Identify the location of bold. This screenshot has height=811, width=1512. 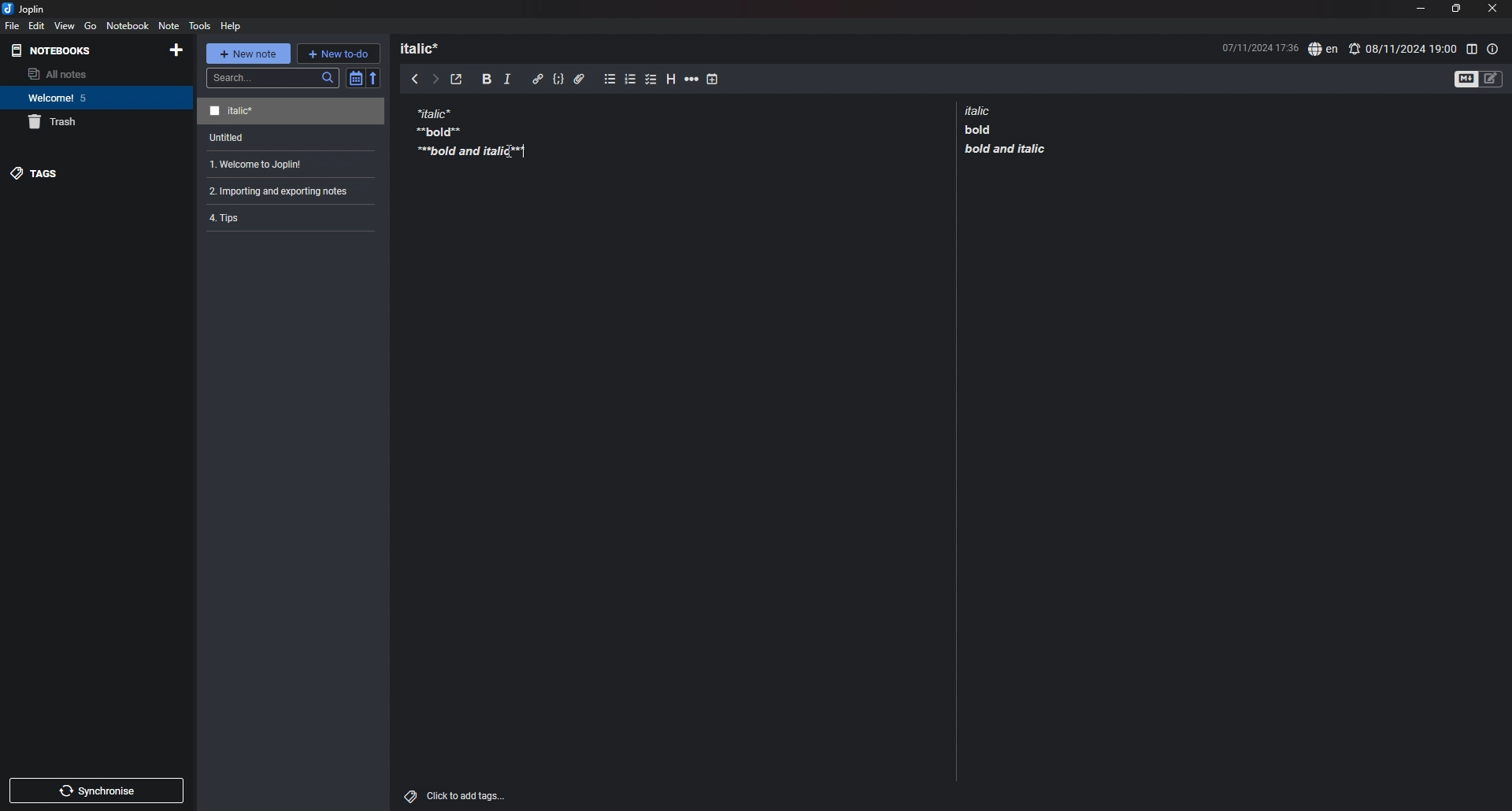
(487, 80).